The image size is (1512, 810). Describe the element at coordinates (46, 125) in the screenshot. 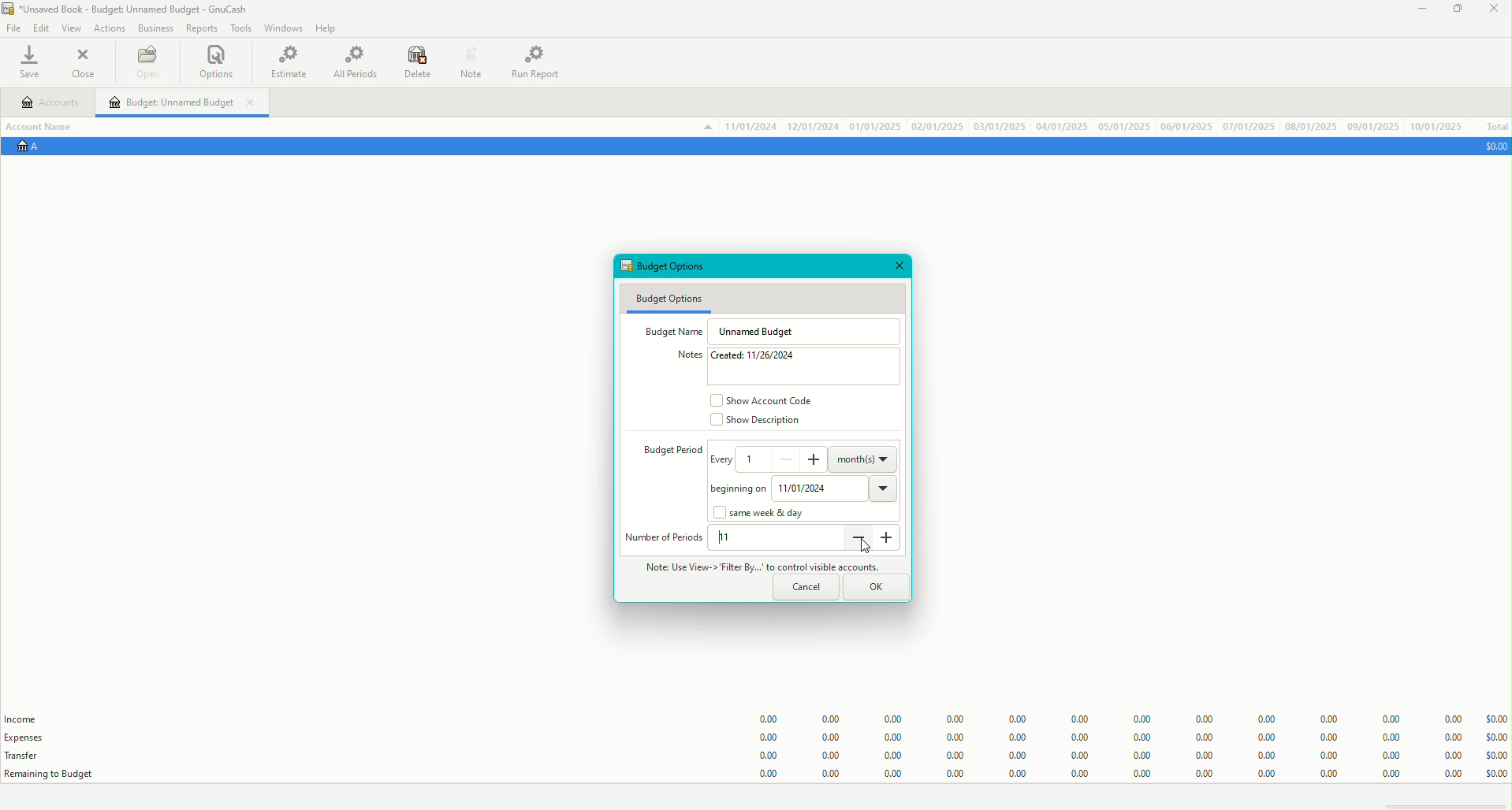

I see `Account Name` at that location.